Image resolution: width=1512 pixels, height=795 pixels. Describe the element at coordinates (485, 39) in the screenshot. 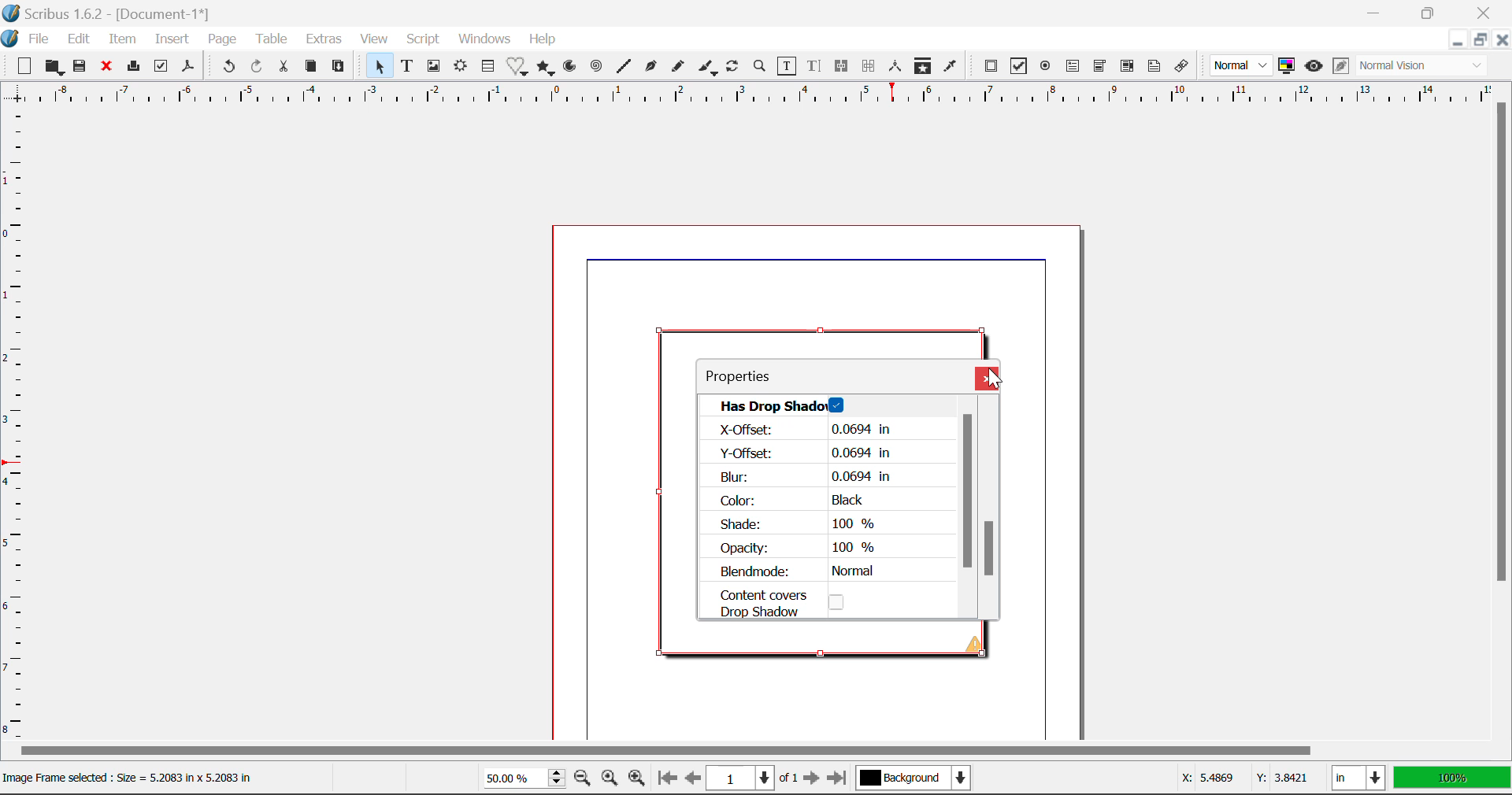

I see `Windows` at that location.